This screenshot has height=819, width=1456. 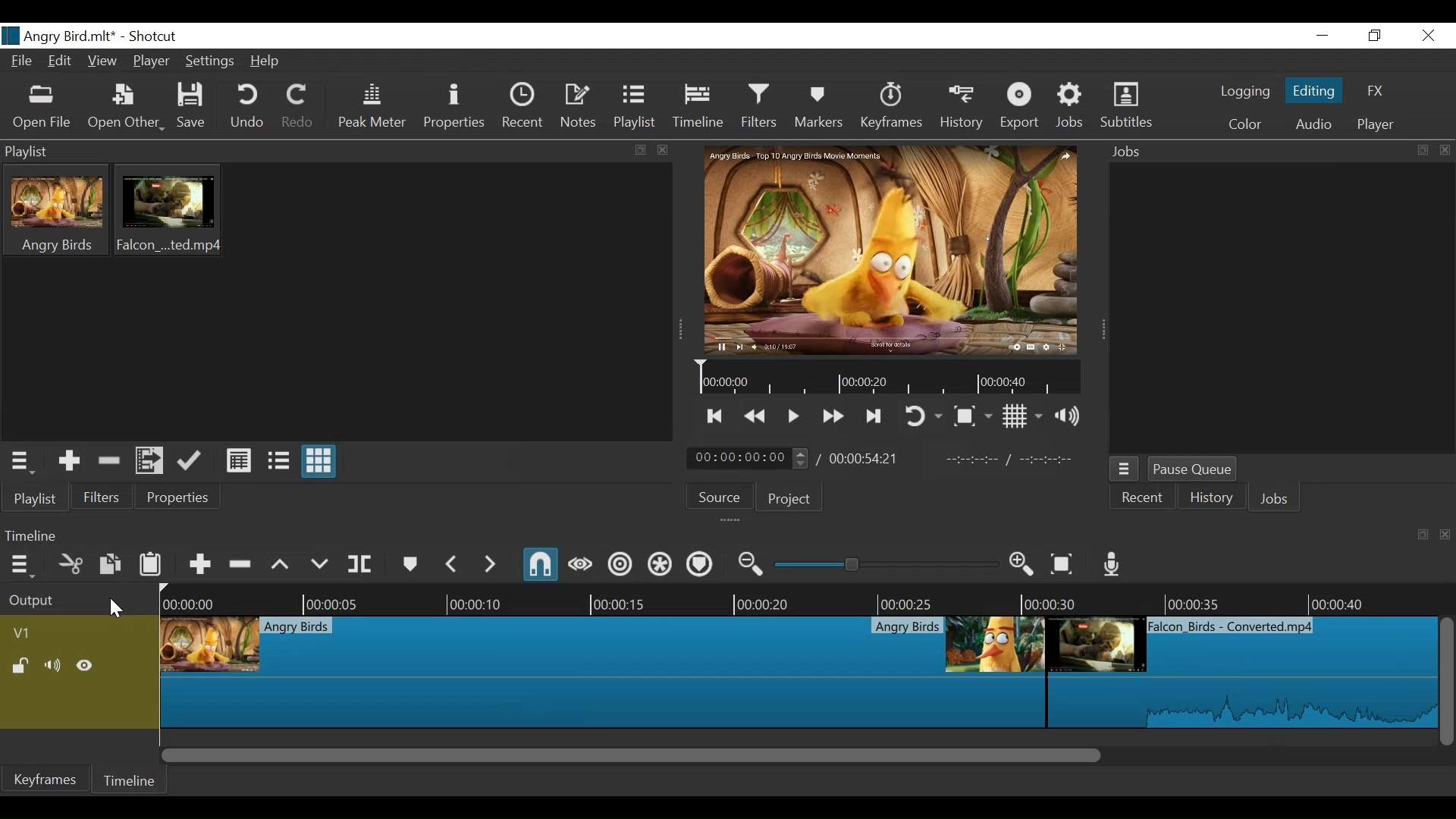 What do you see at coordinates (52, 665) in the screenshot?
I see `Mute` at bounding box center [52, 665].